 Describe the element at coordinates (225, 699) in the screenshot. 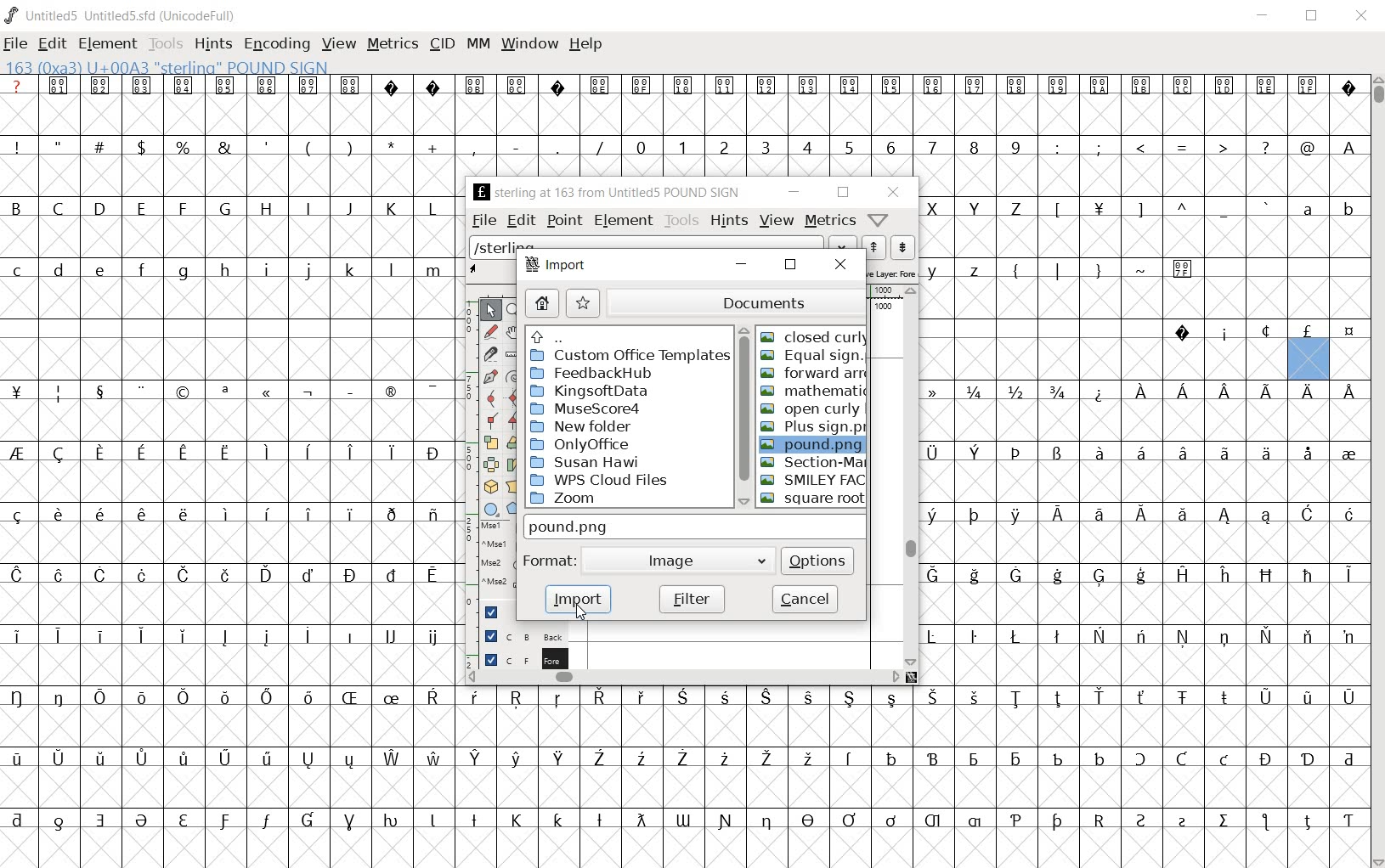

I see `Symbol` at that location.